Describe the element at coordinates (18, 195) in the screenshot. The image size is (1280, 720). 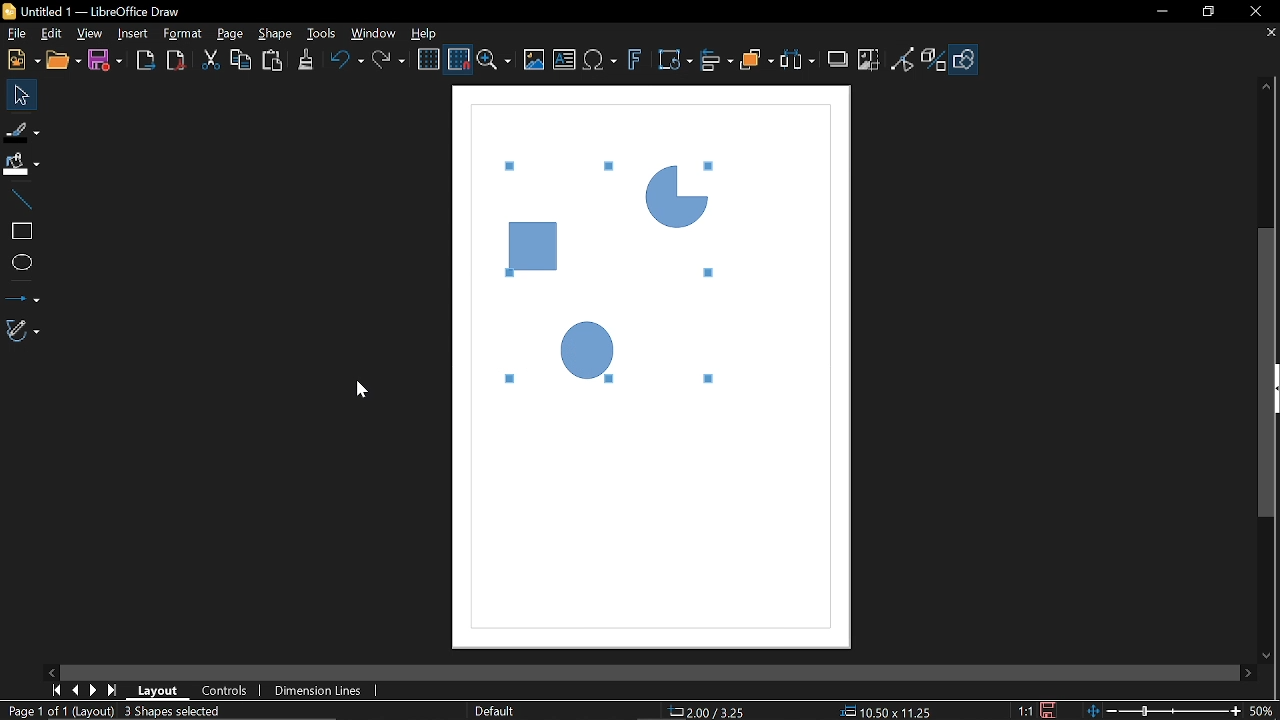
I see `Line` at that location.